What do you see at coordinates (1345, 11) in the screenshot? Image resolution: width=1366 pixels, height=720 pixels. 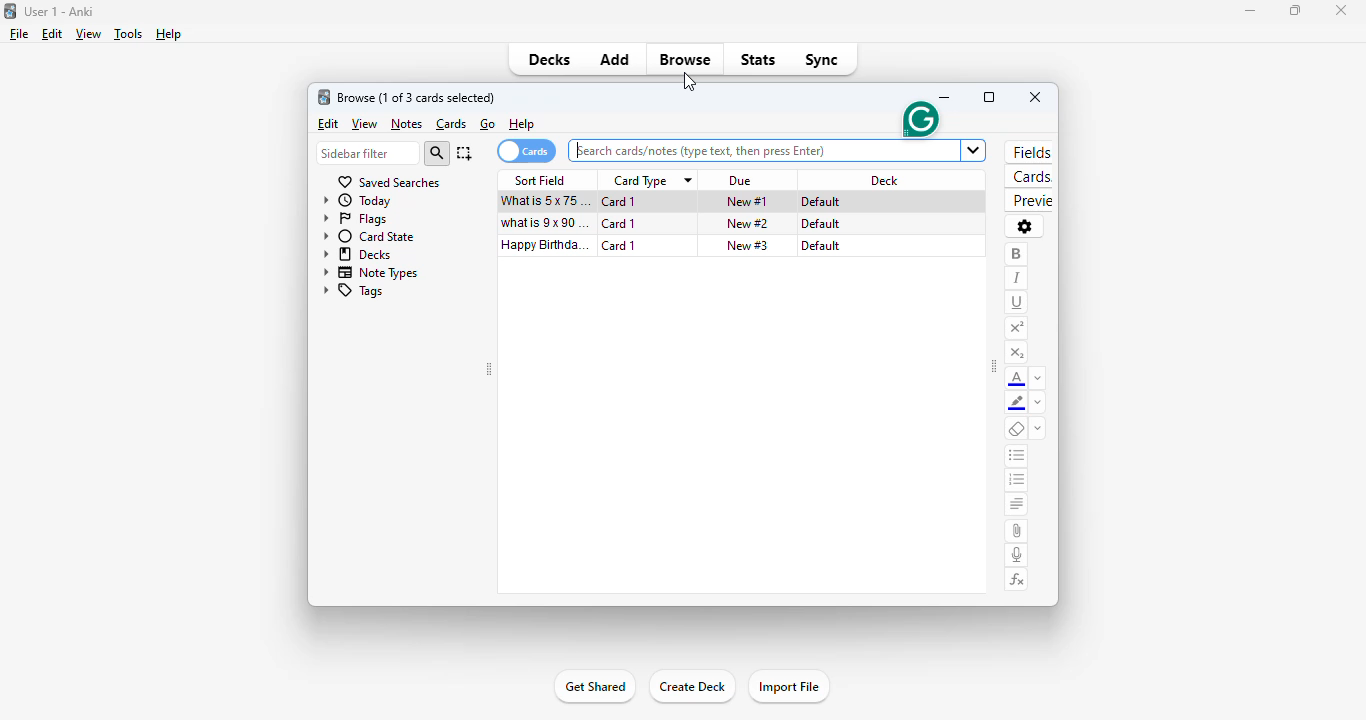 I see `close` at bounding box center [1345, 11].